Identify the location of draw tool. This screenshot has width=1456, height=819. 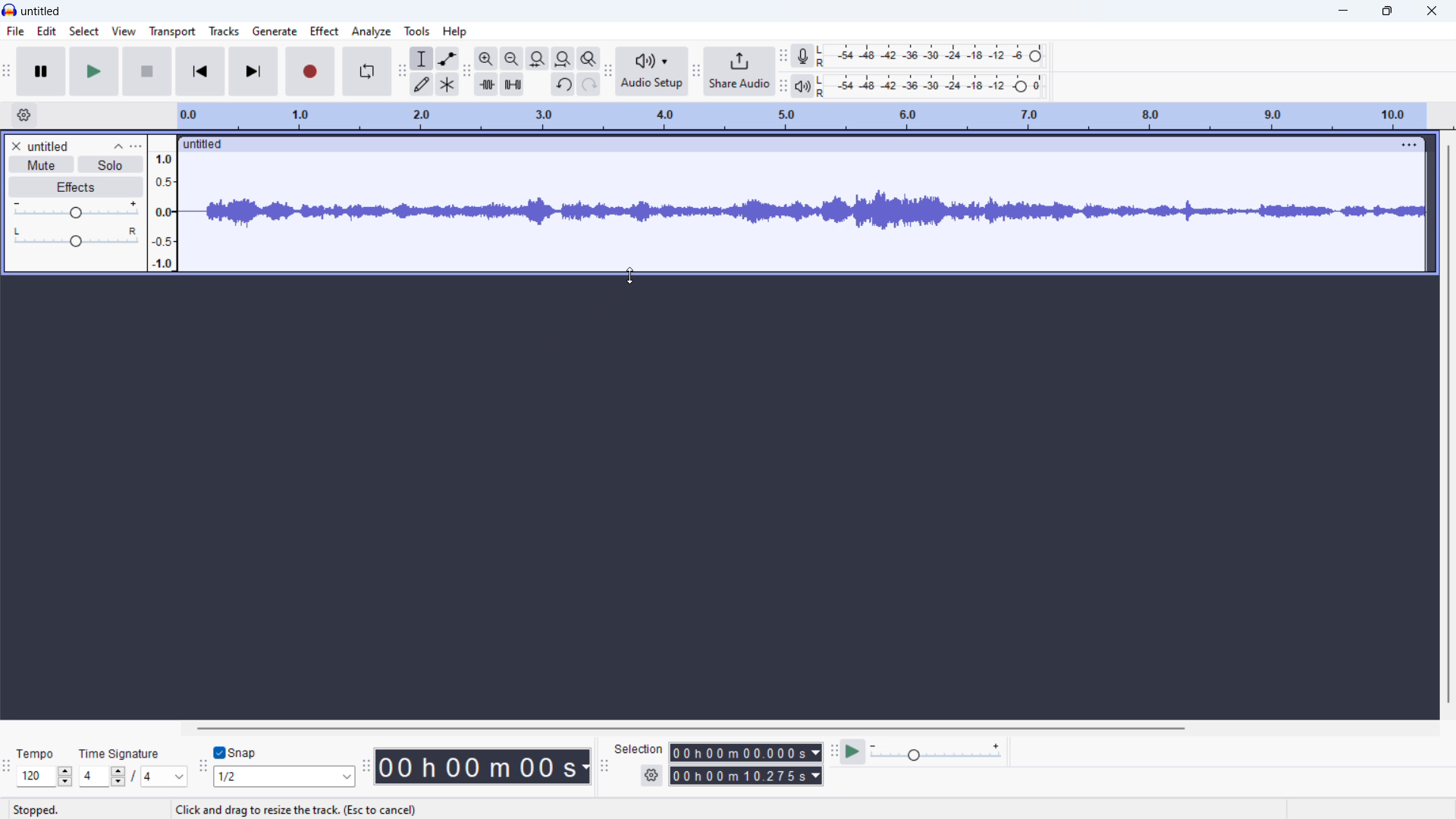
(422, 84).